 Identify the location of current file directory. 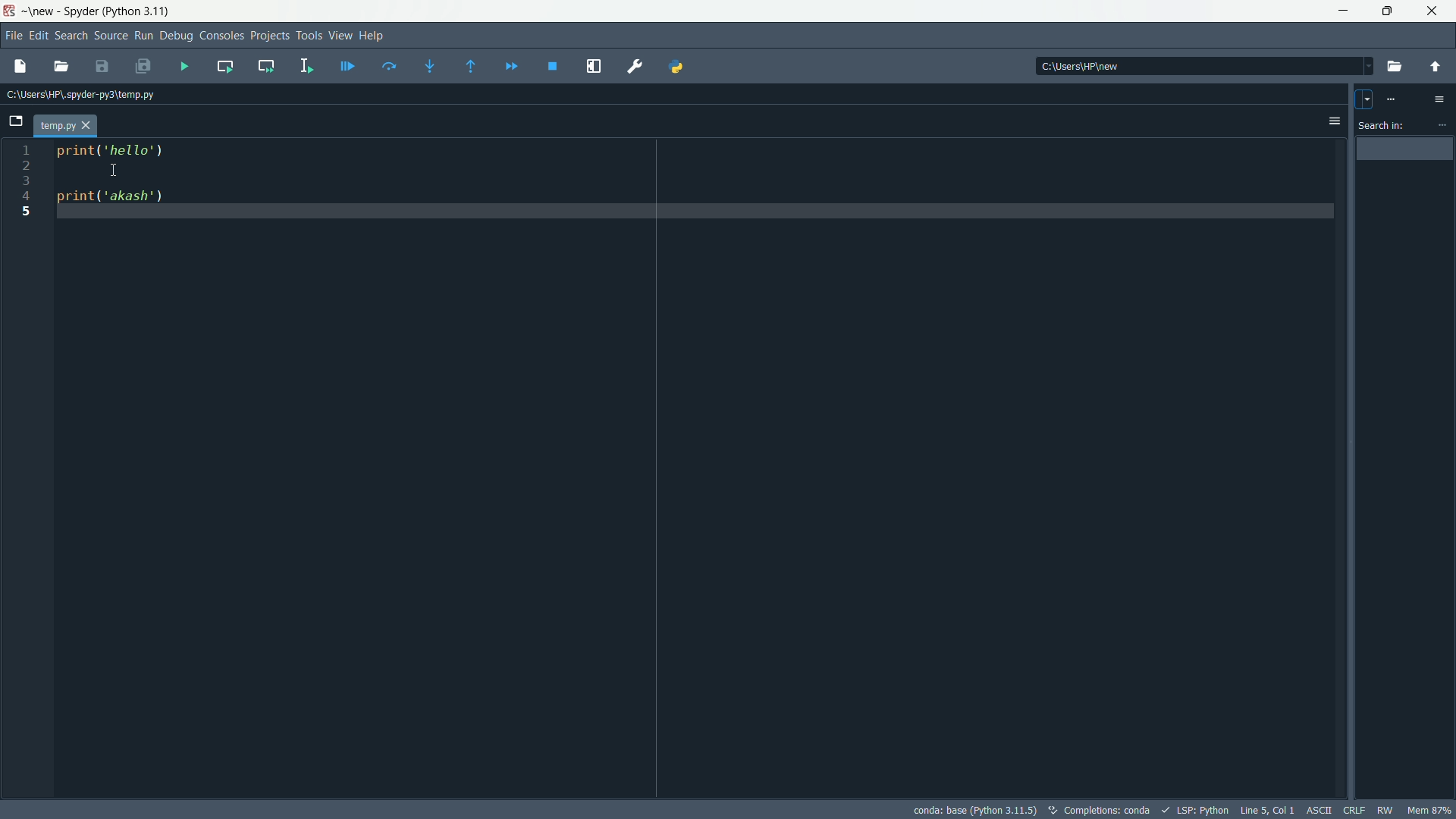
(80, 94).